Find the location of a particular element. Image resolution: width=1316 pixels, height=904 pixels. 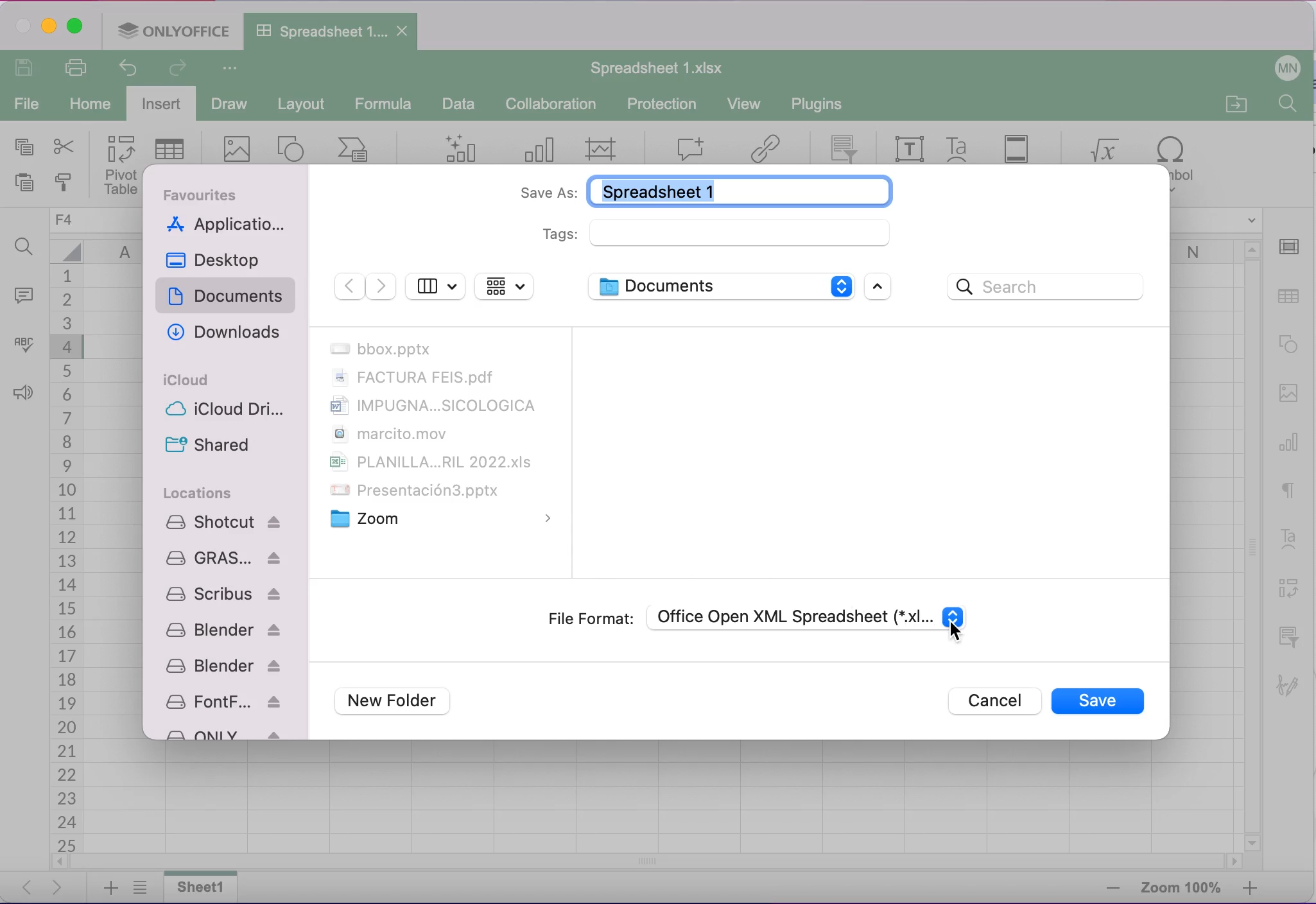

previous is located at coordinates (348, 287).